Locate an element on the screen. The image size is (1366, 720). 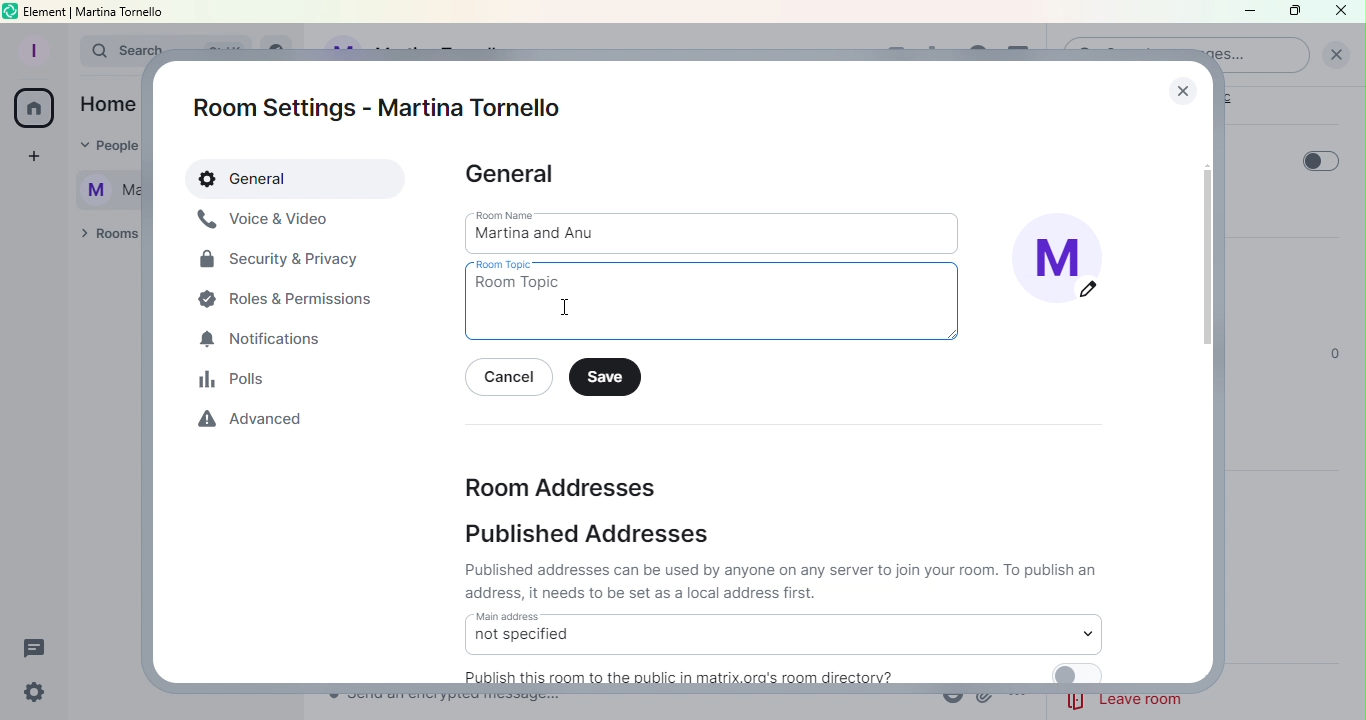
Room addresses is located at coordinates (560, 485).